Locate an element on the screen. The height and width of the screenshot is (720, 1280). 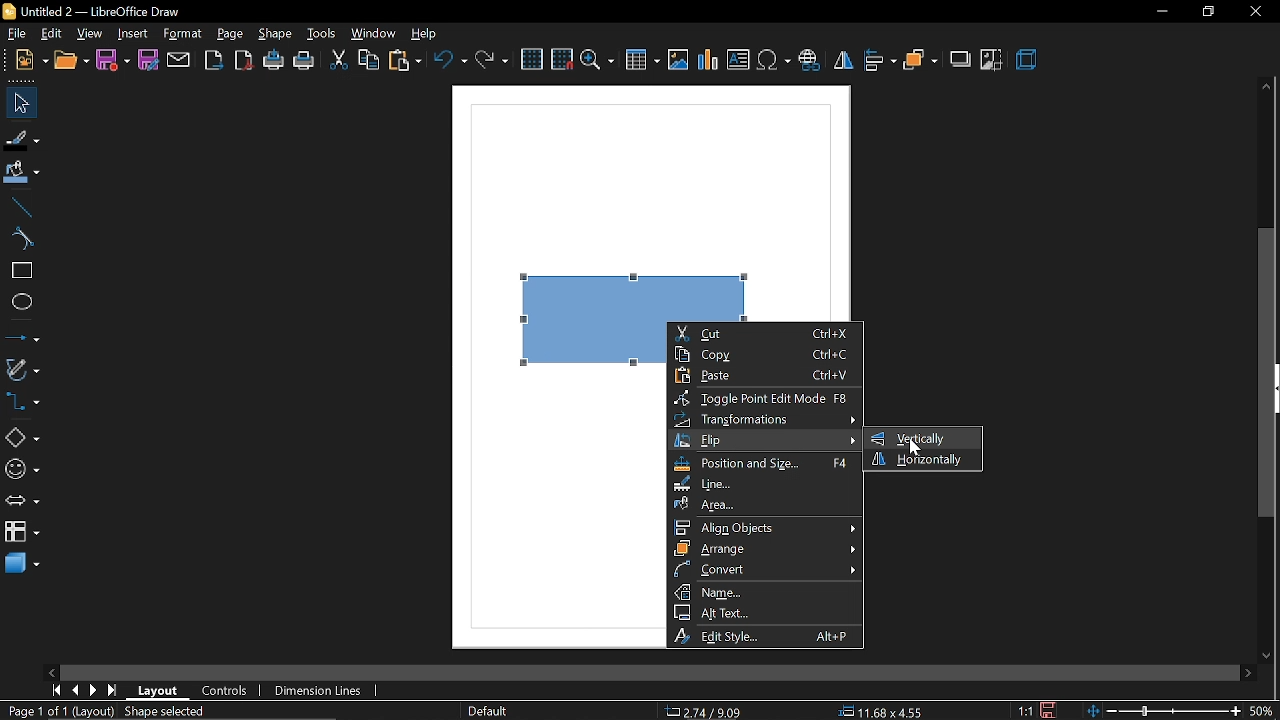
help is located at coordinates (423, 33).